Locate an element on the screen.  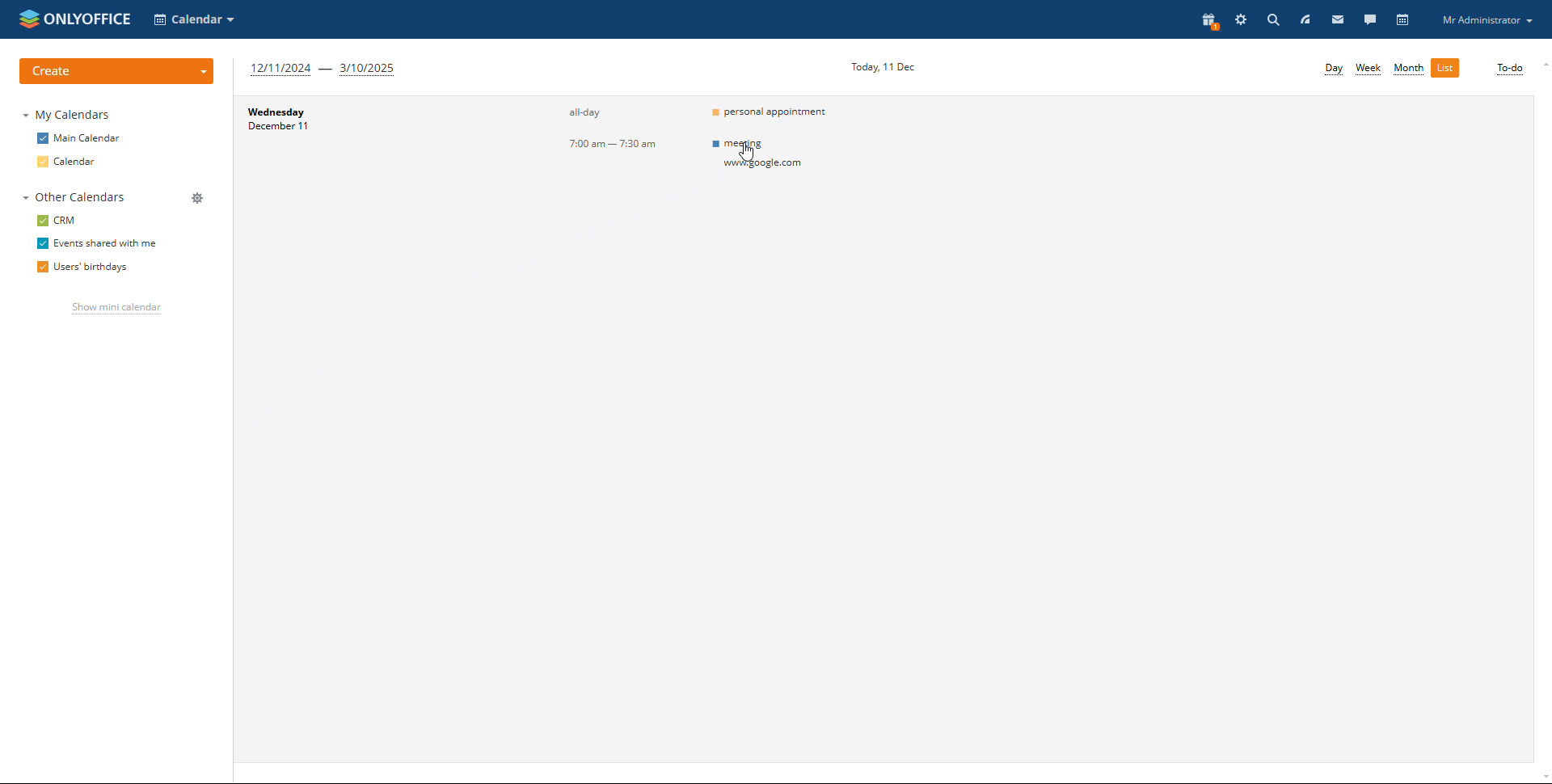
logo is located at coordinates (75, 19).